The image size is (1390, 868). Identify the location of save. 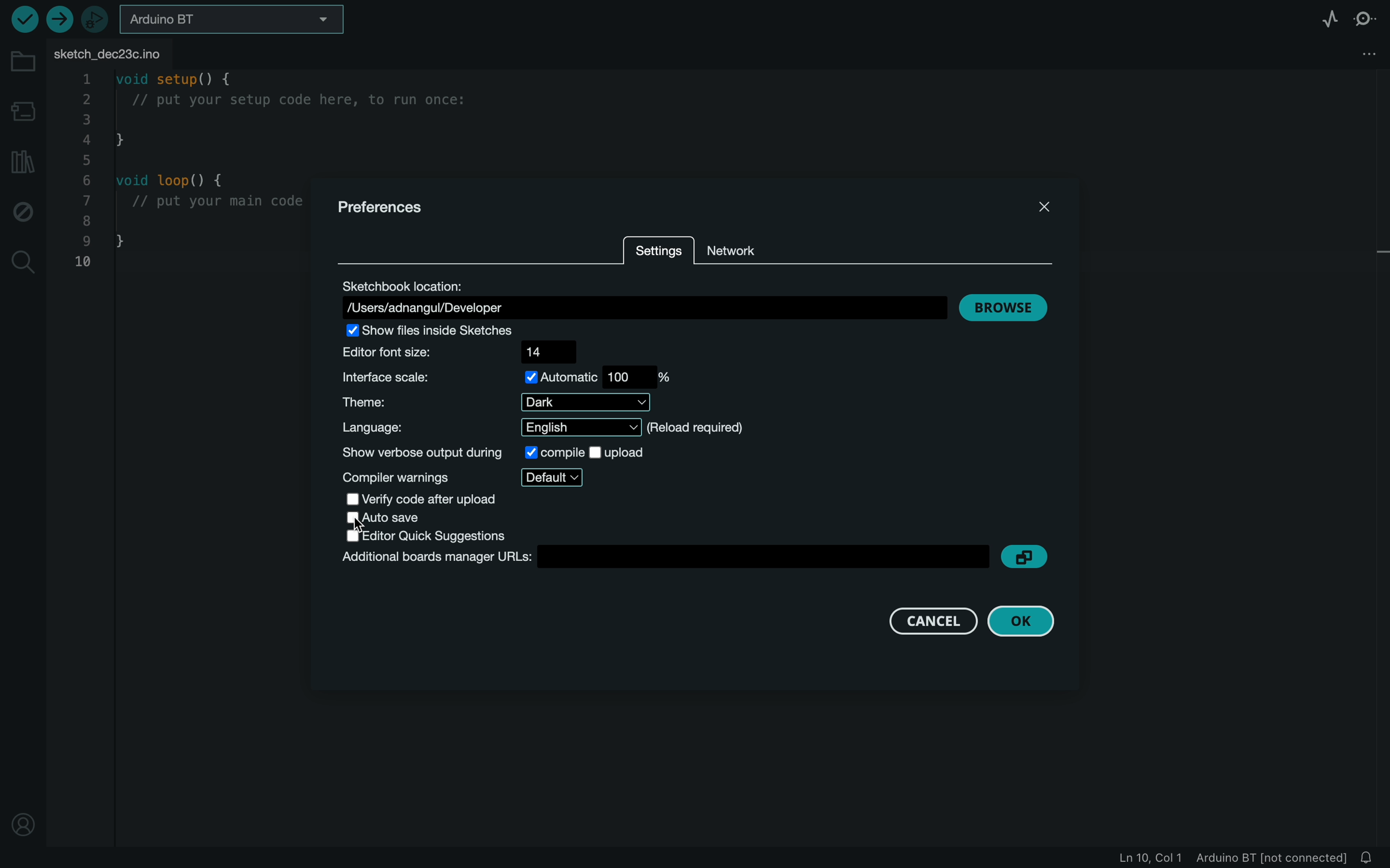
(394, 518).